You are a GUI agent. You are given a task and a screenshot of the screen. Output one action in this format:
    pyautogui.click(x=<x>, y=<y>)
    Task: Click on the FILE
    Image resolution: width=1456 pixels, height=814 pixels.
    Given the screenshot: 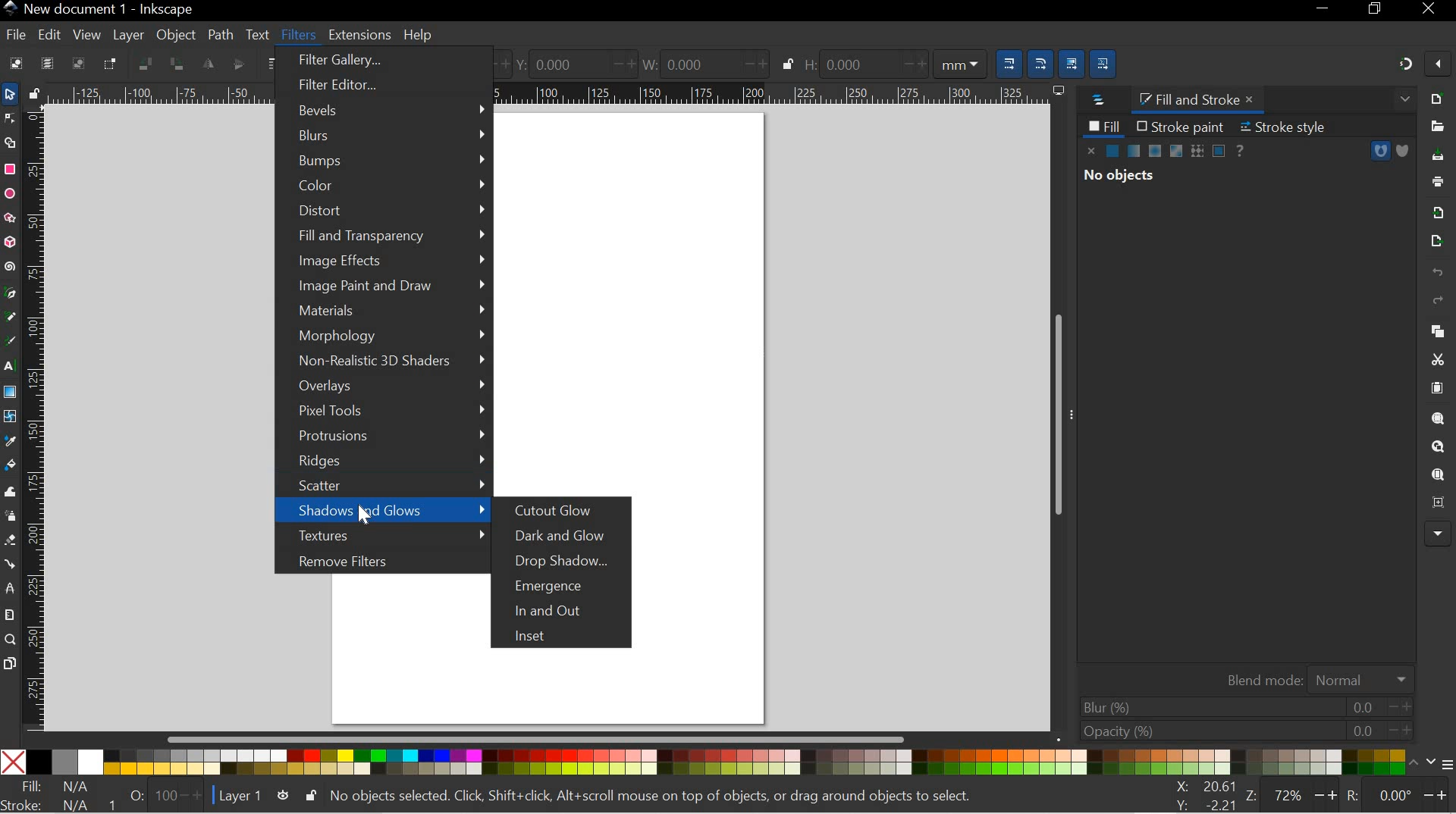 What is the action you would take?
    pyautogui.click(x=13, y=36)
    